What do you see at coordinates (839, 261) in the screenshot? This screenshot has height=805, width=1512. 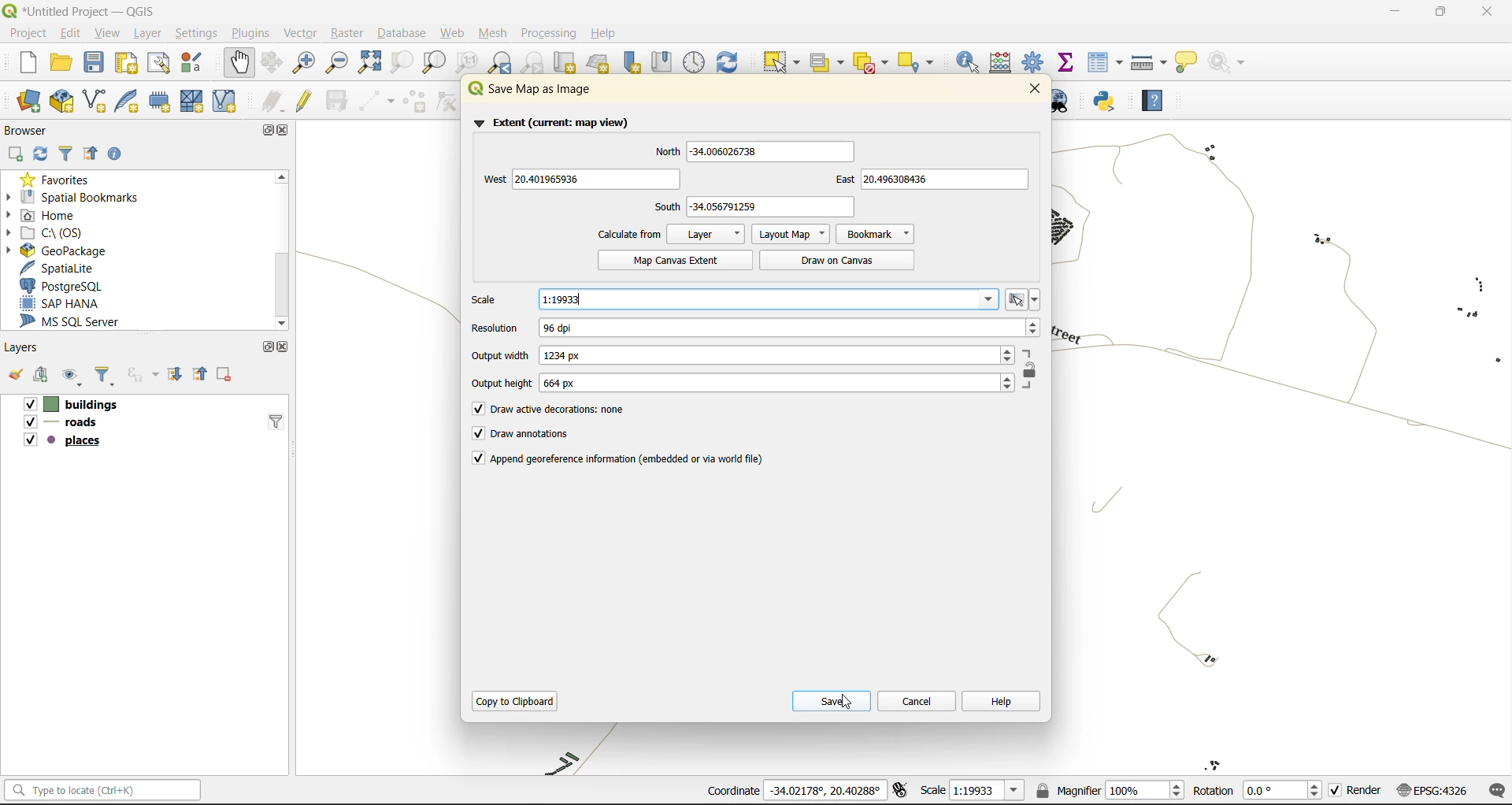 I see `draw on canvas` at bounding box center [839, 261].